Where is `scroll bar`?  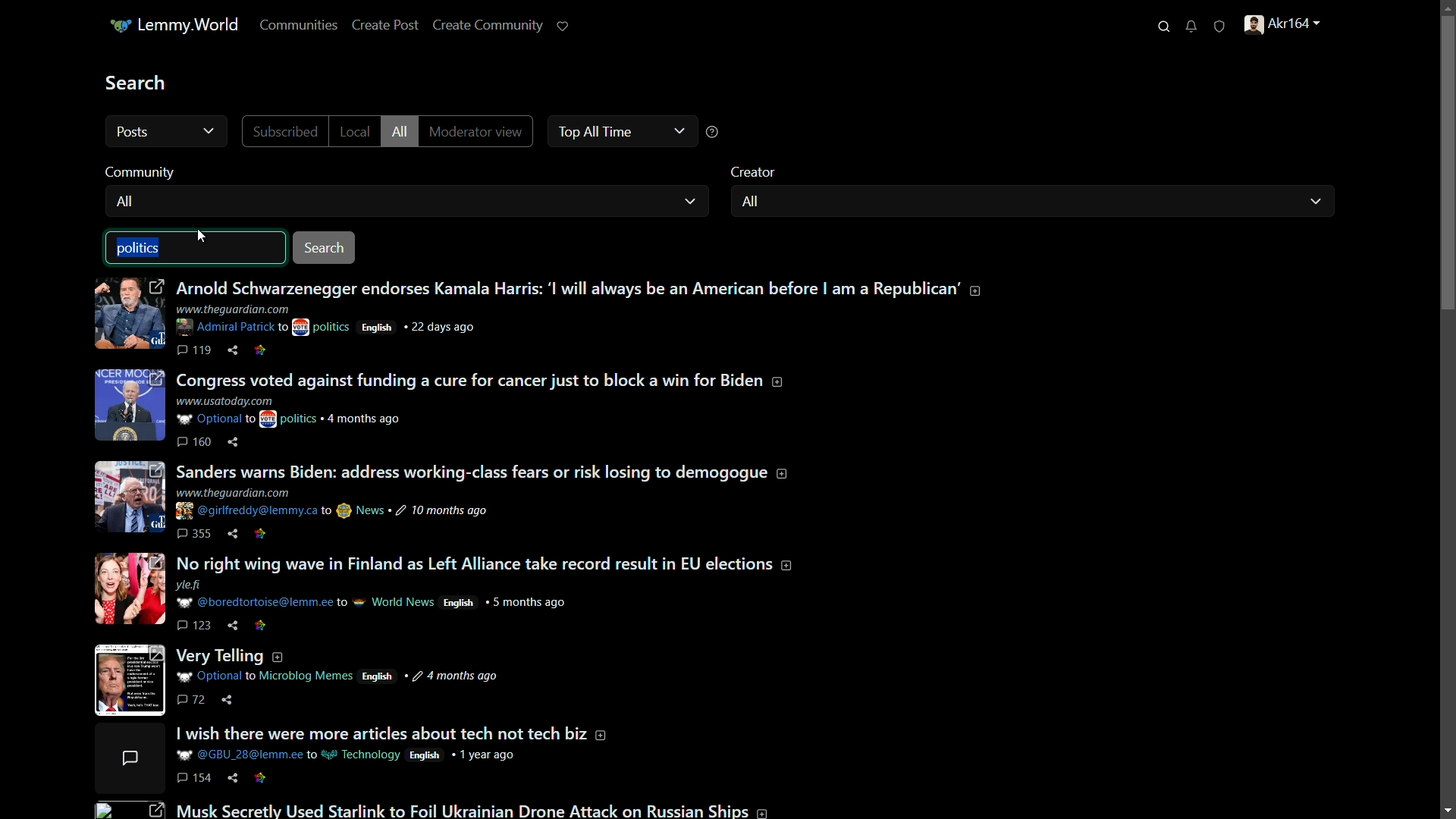 scroll bar is located at coordinates (1447, 410).